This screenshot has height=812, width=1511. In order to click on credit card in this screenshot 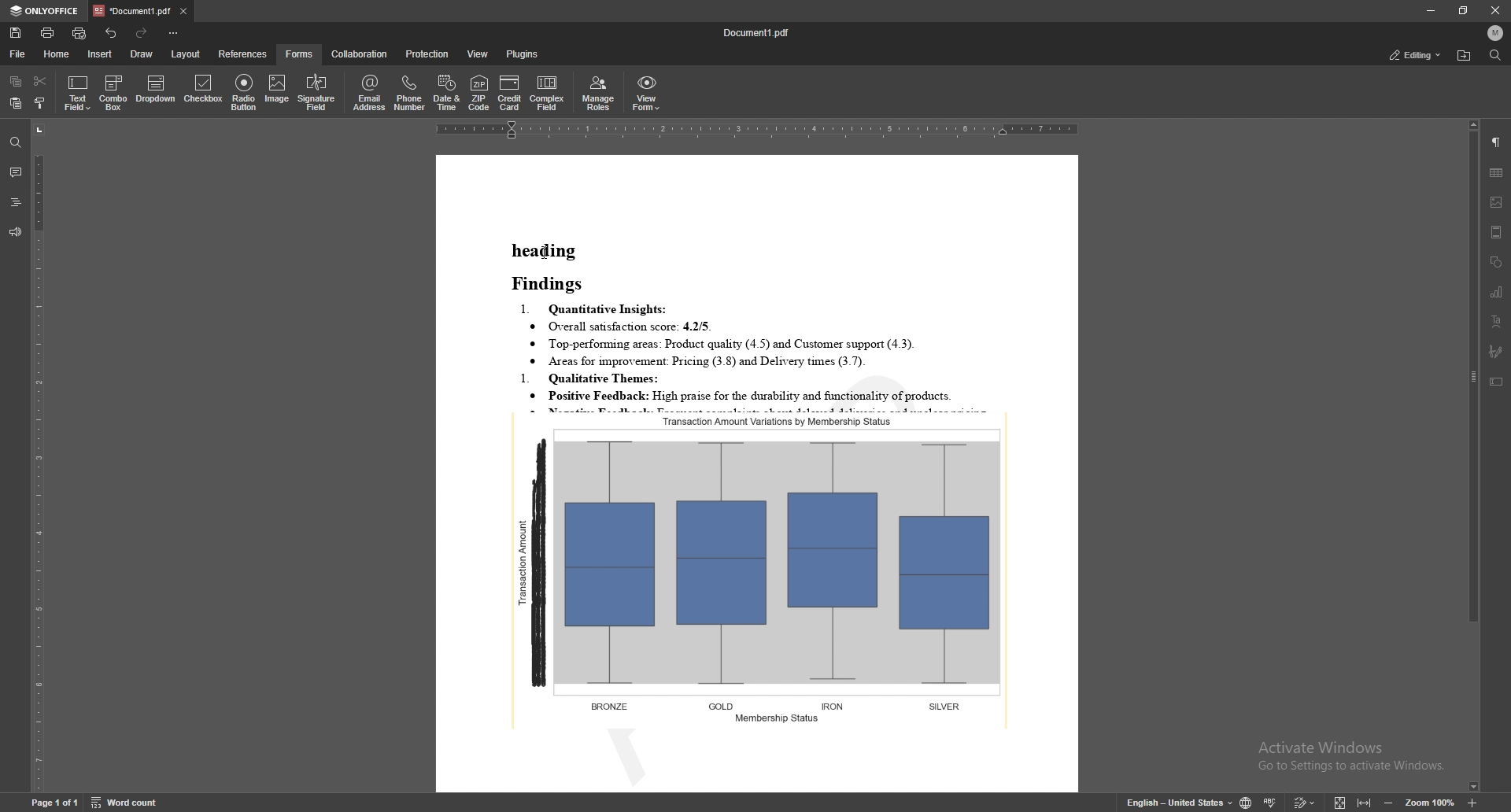, I will do `click(511, 93)`.